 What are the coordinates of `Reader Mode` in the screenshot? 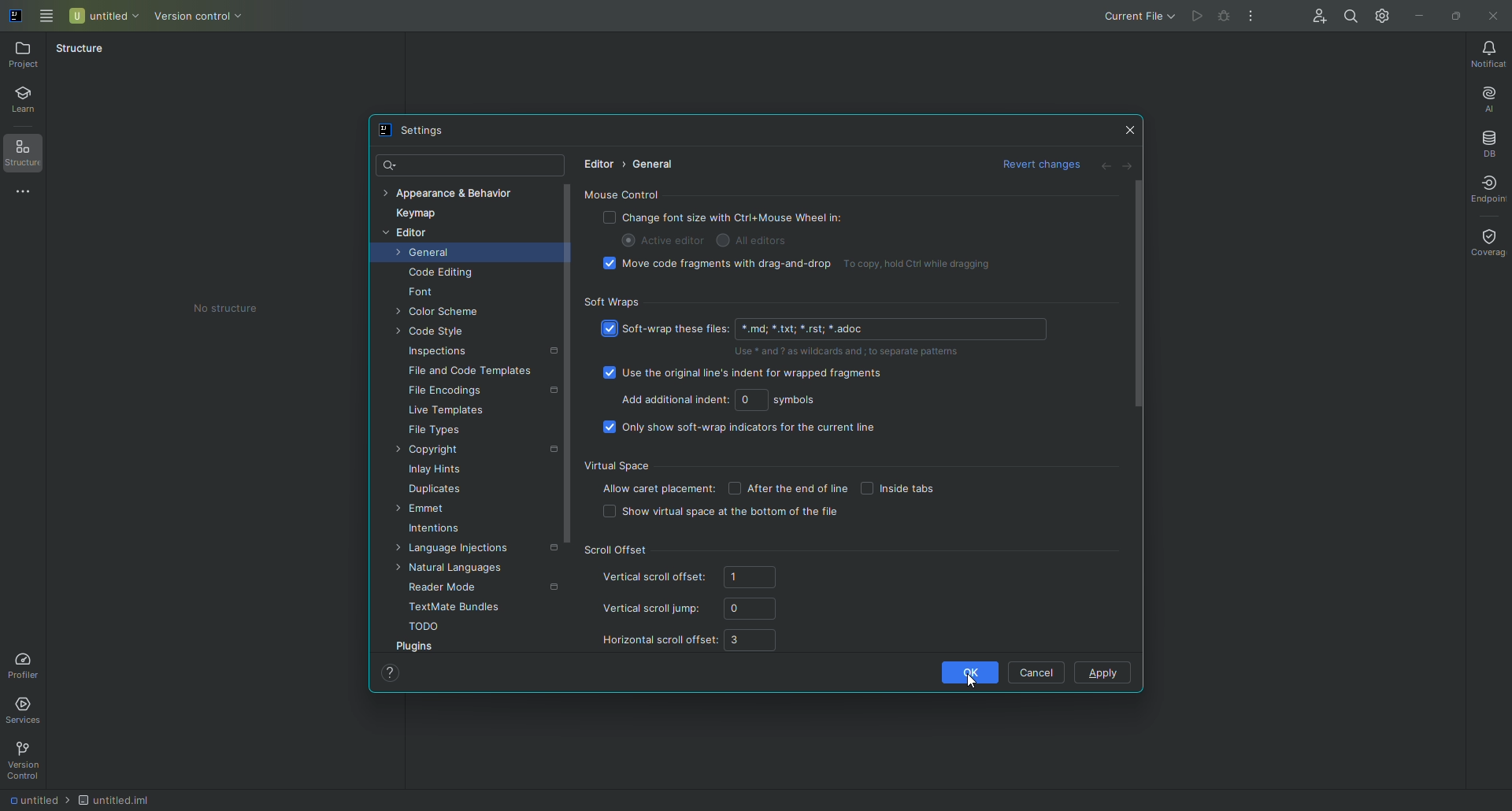 It's located at (448, 587).